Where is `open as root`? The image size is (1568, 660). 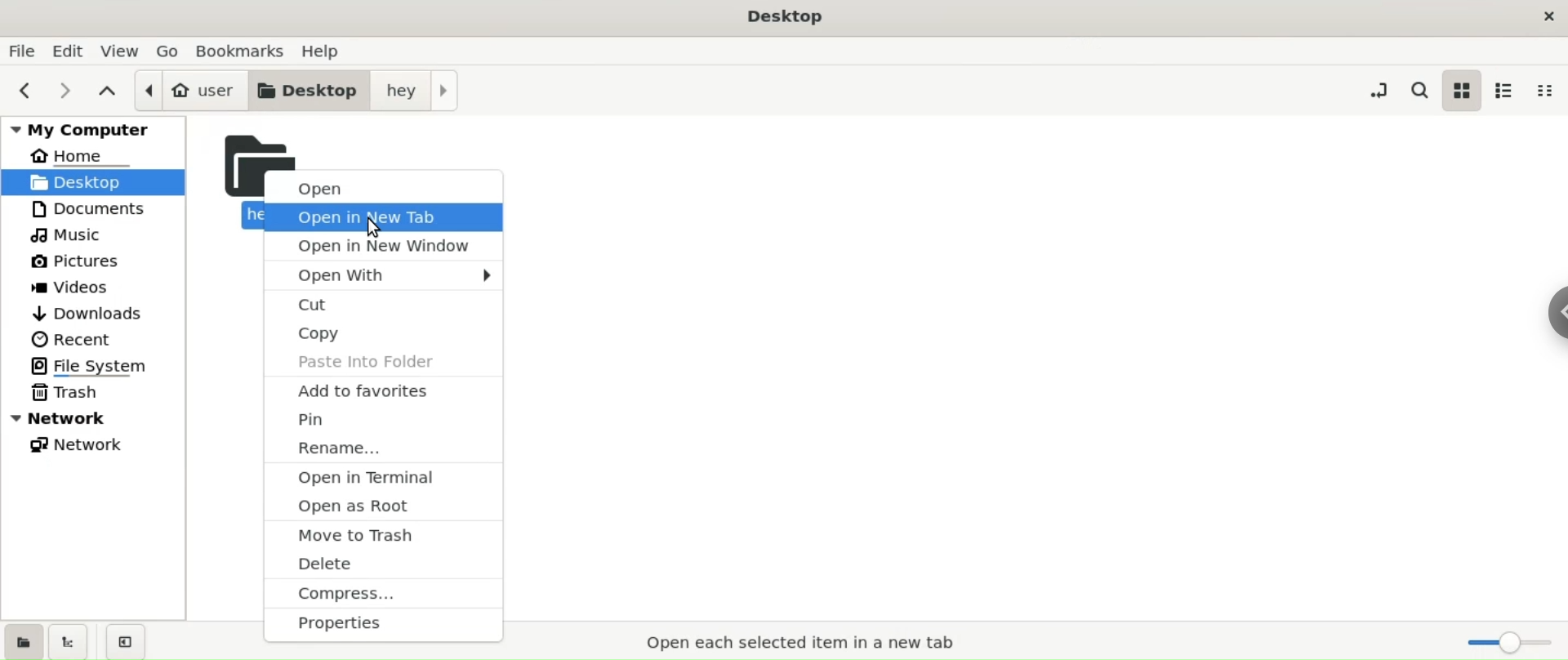 open as root is located at coordinates (383, 505).